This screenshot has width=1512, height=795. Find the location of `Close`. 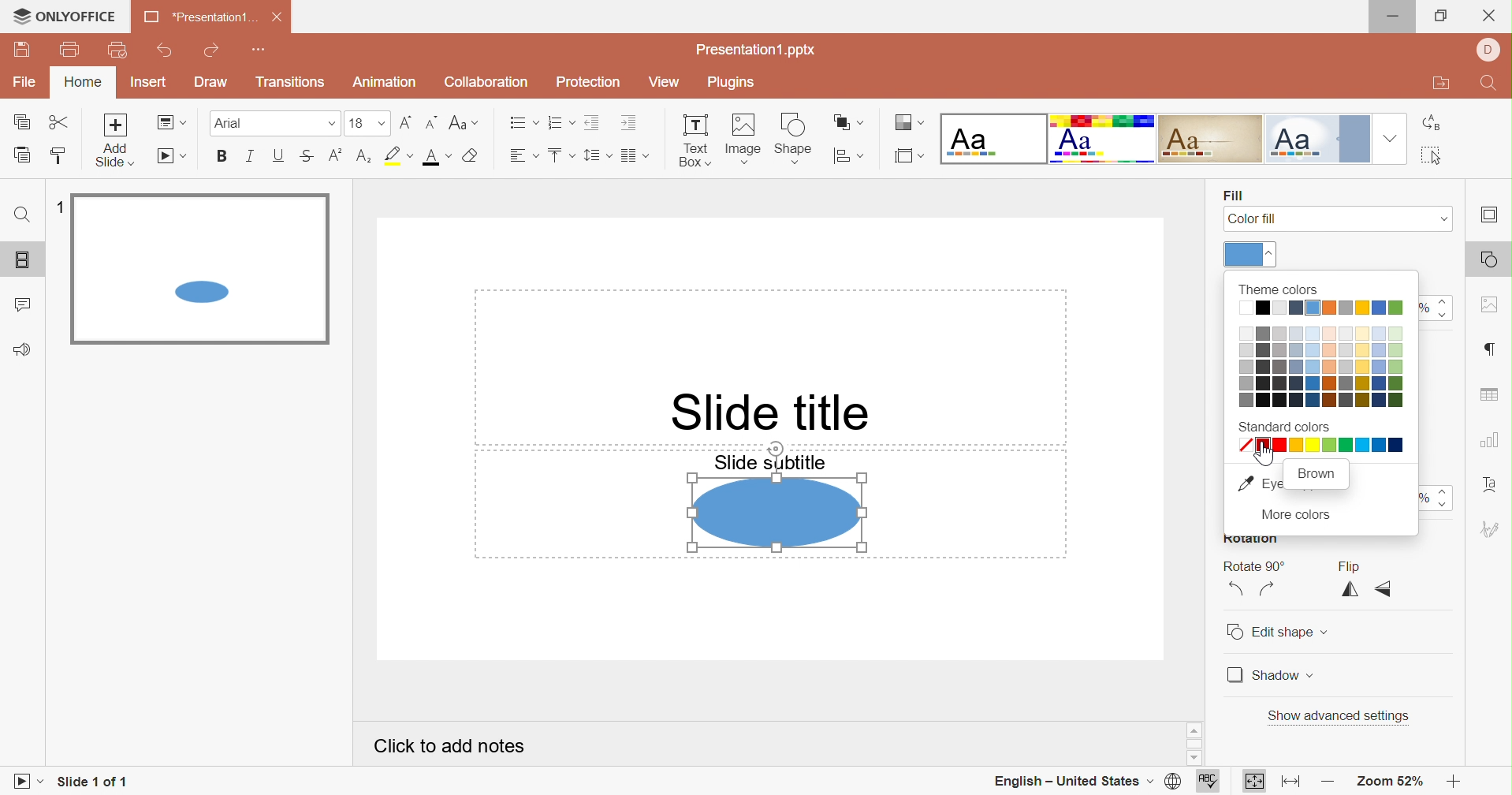

Close is located at coordinates (1489, 16).